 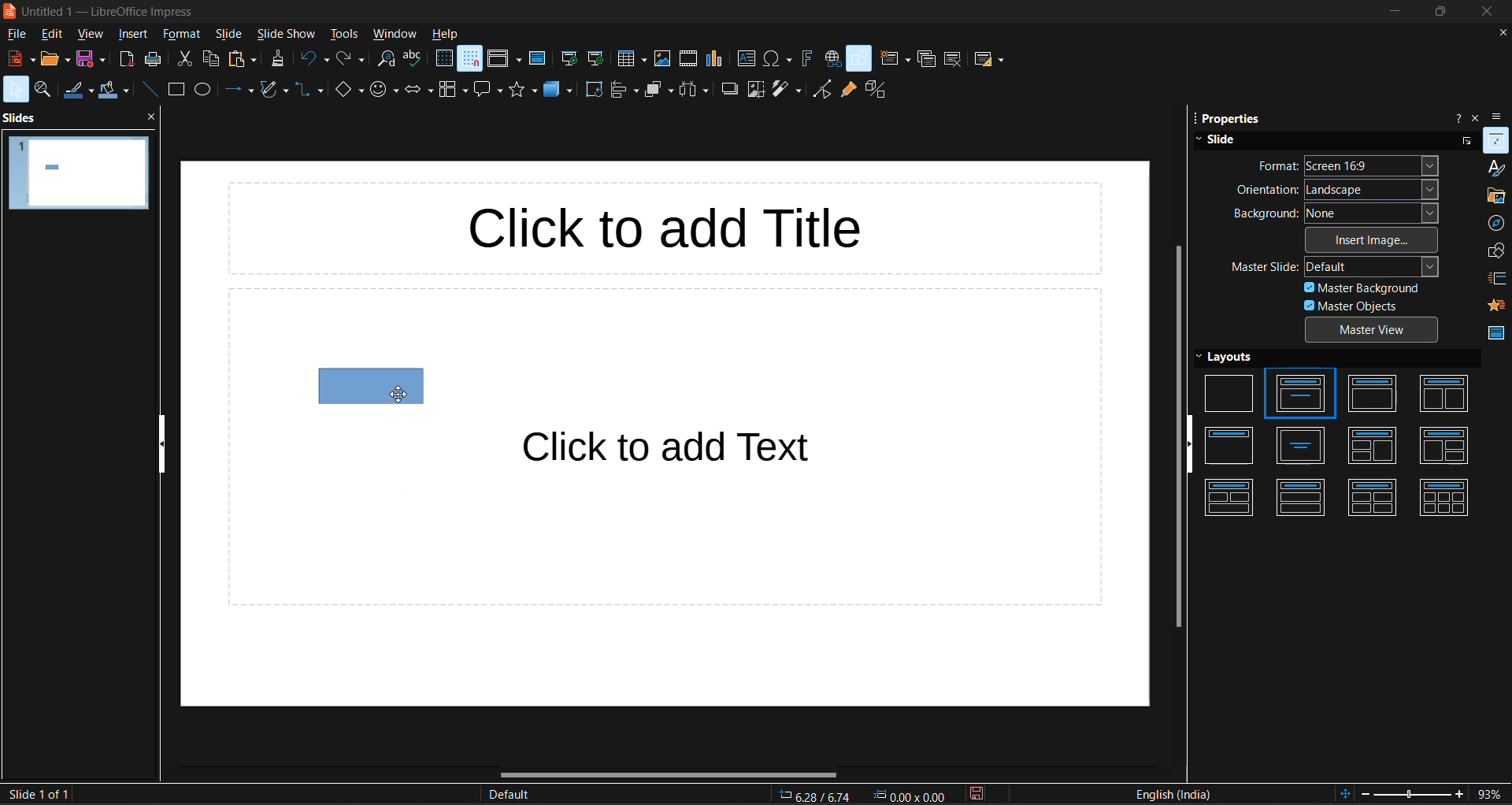 What do you see at coordinates (344, 33) in the screenshot?
I see `tools` at bounding box center [344, 33].